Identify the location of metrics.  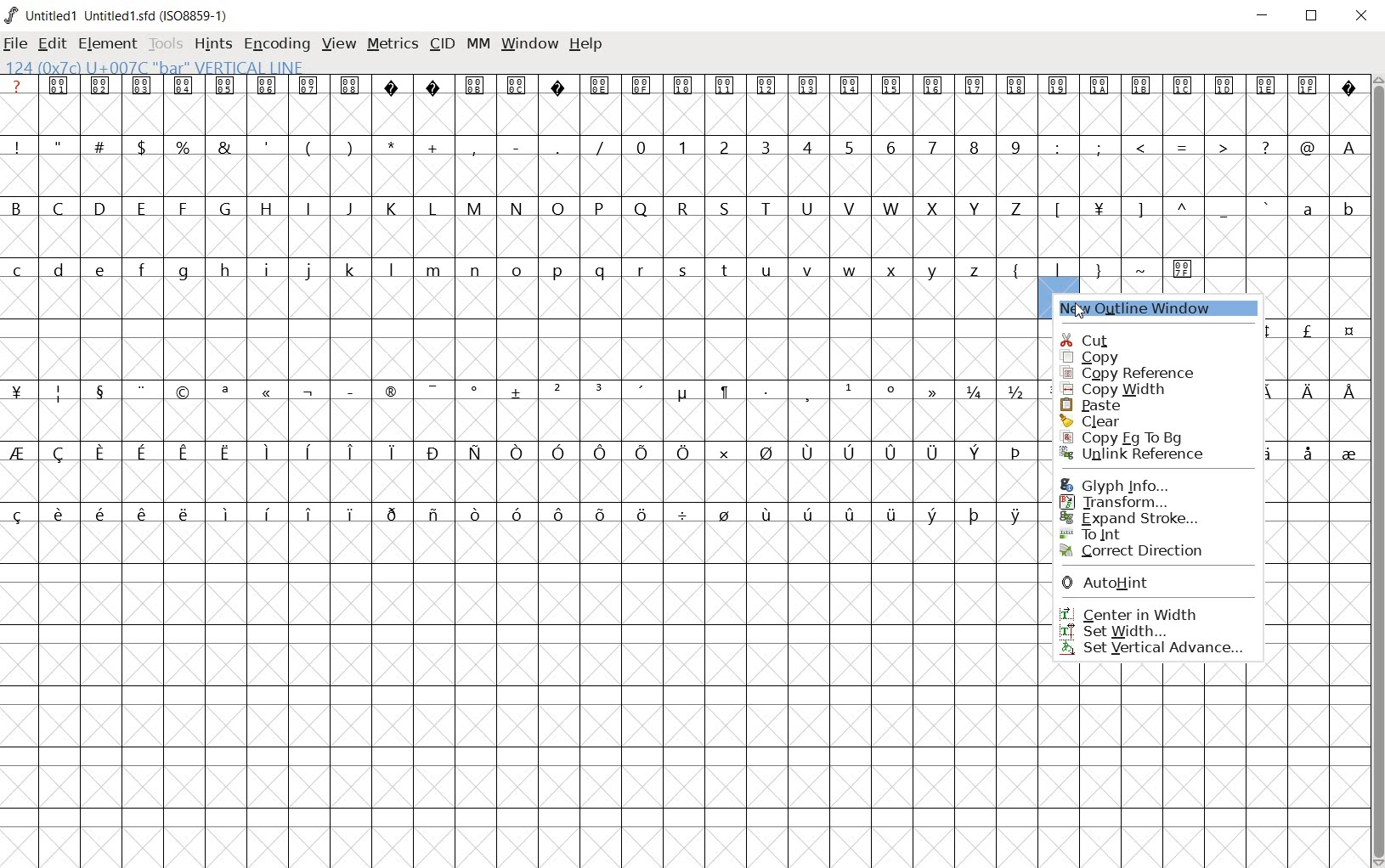
(393, 42).